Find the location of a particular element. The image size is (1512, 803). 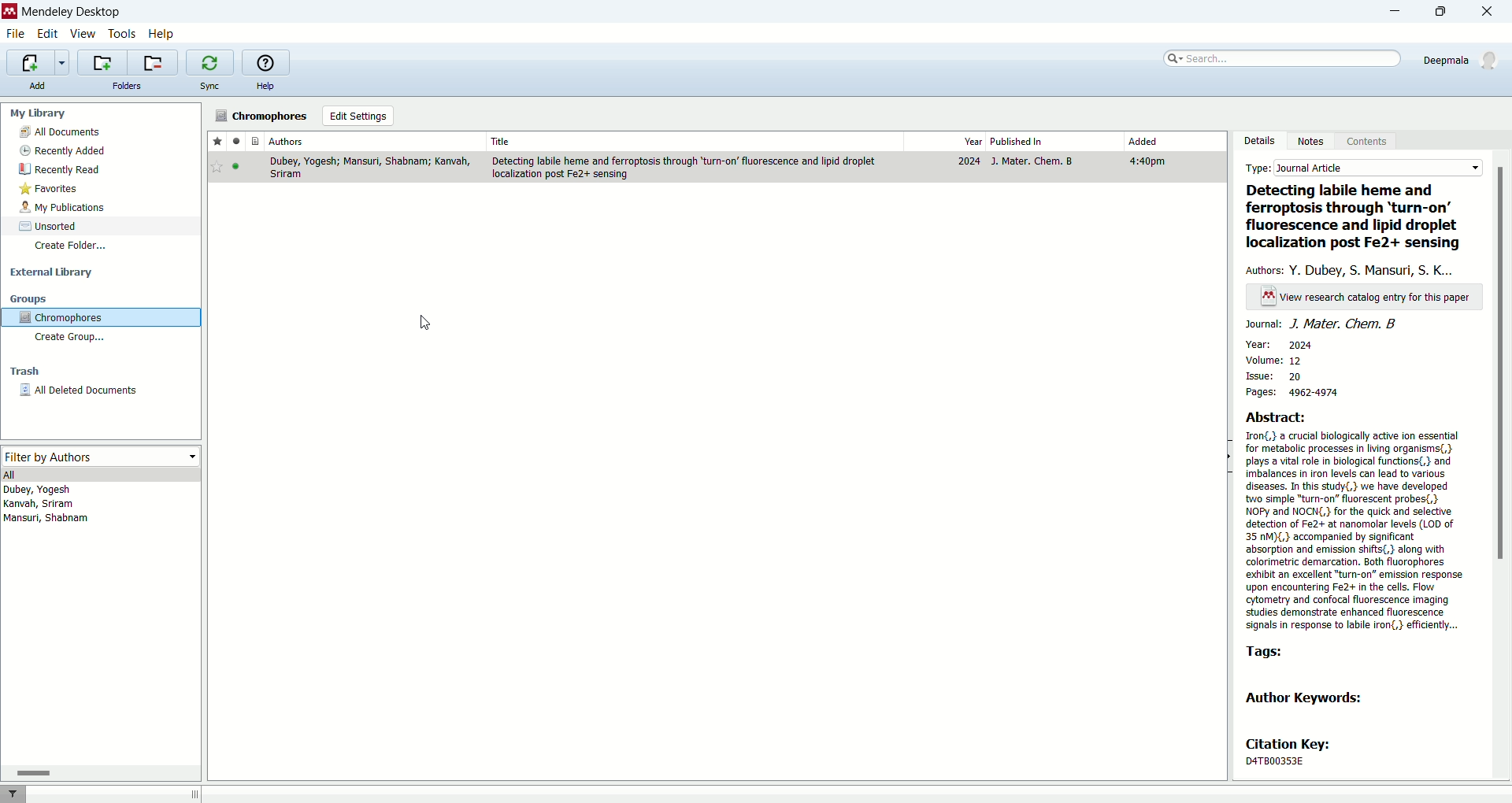

tags is located at coordinates (1264, 652).